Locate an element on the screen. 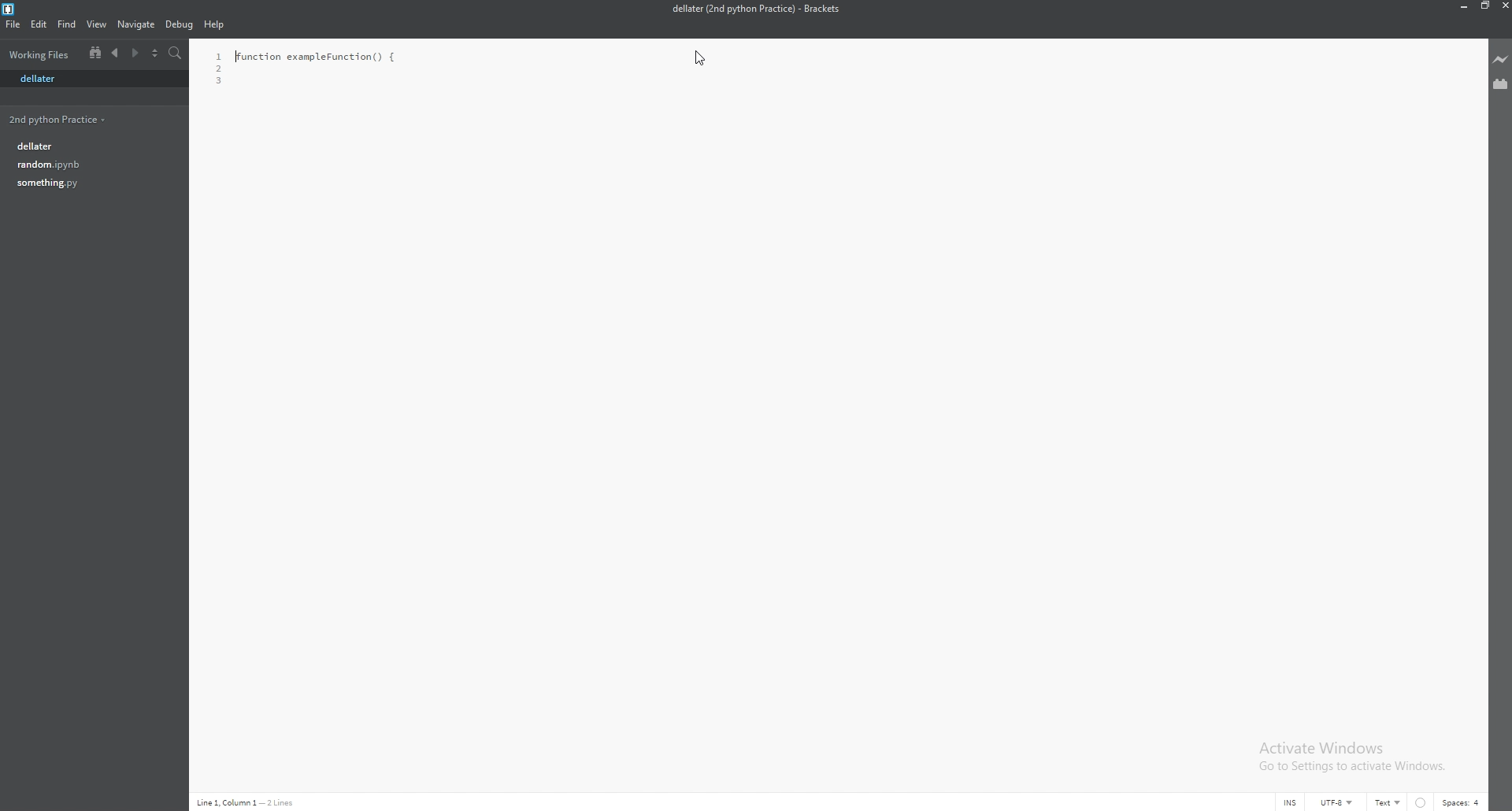 This screenshot has height=811, width=1512. text is located at coordinates (1387, 802).